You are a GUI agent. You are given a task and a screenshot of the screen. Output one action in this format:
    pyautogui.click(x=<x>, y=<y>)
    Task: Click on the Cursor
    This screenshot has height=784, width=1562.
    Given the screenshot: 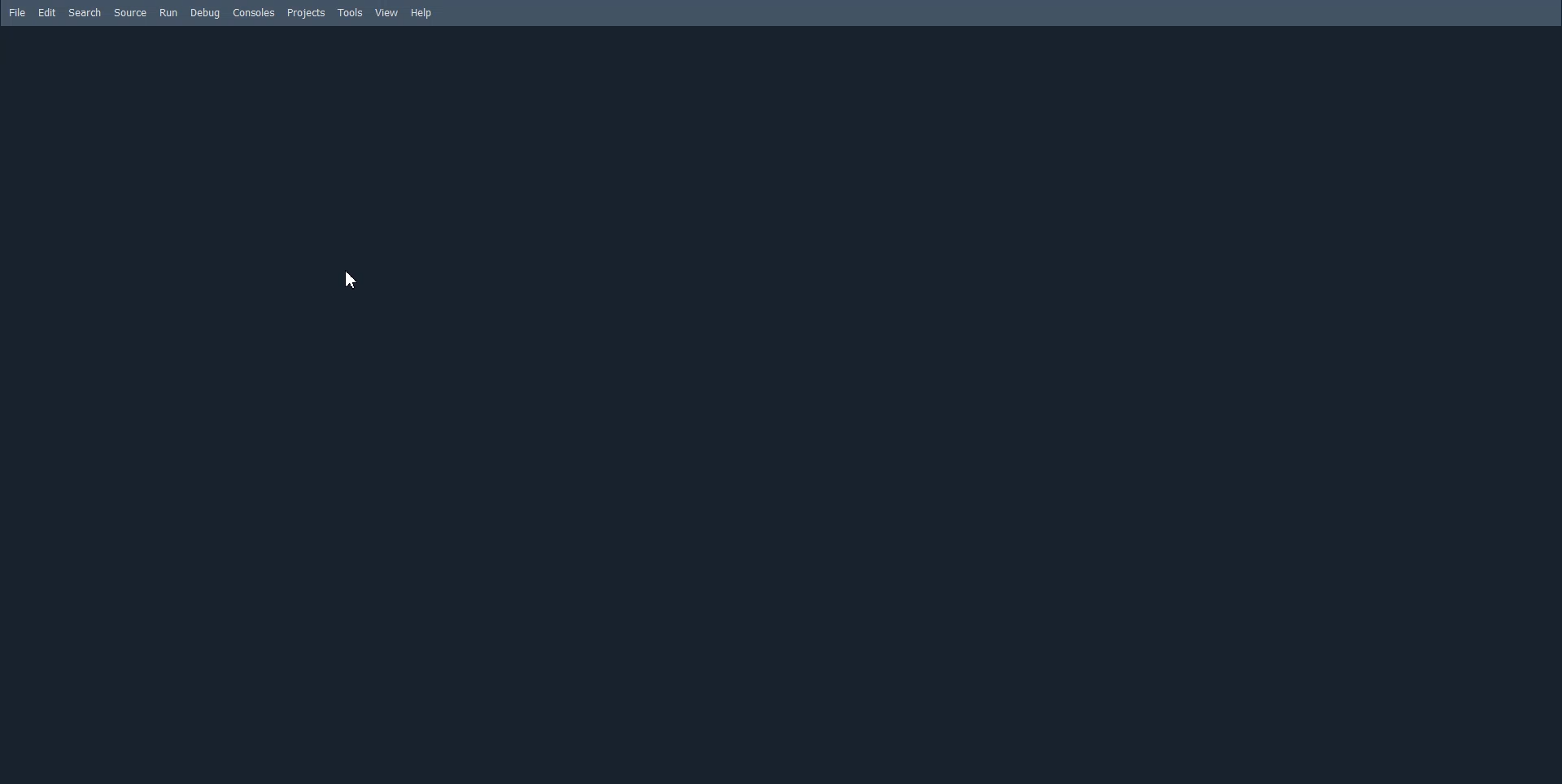 What is the action you would take?
    pyautogui.click(x=354, y=280)
    